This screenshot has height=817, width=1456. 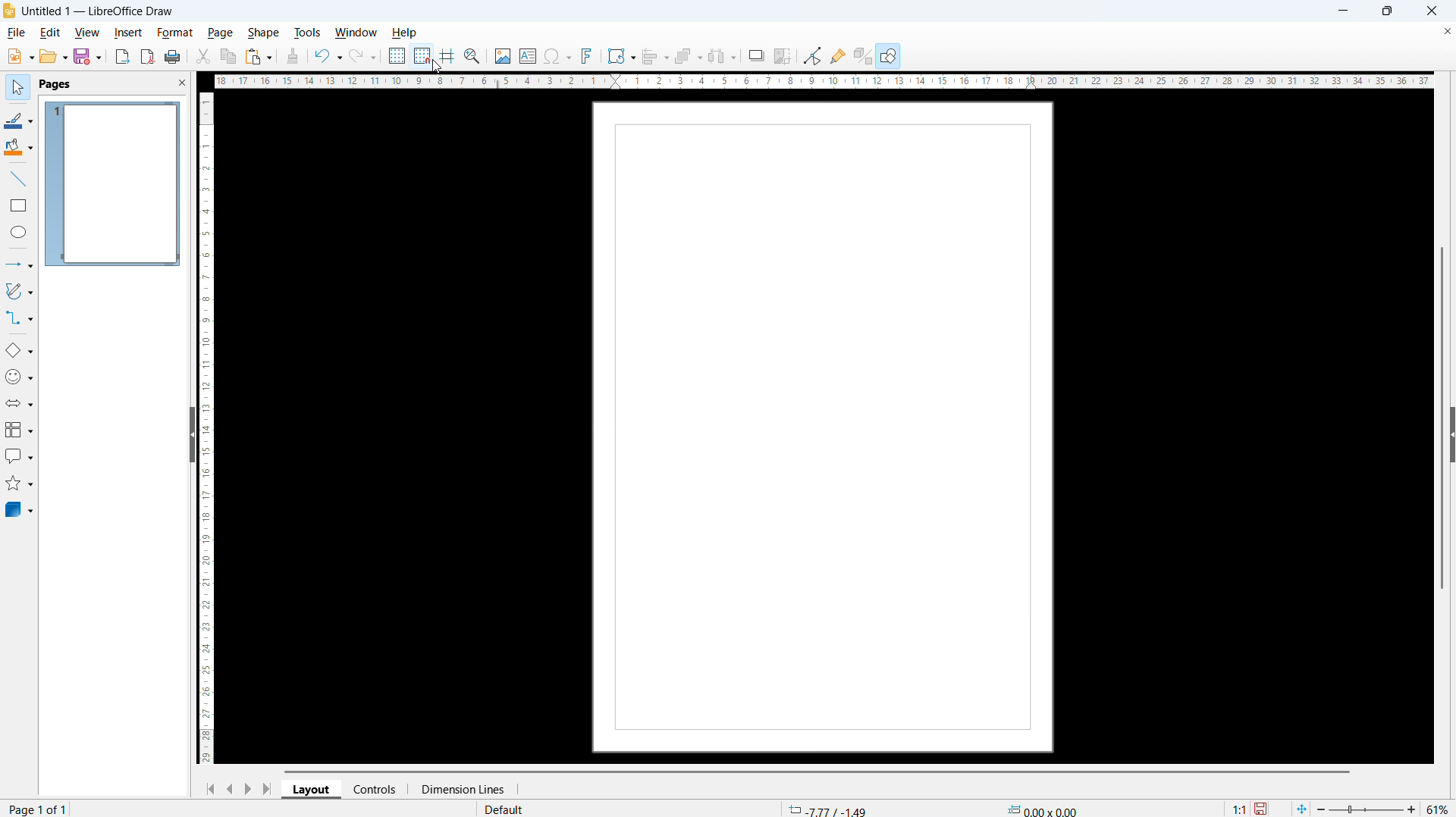 What do you see at coordinates (86, 33) in the screenshot?
I see `view` at bounding box center [86, 33].